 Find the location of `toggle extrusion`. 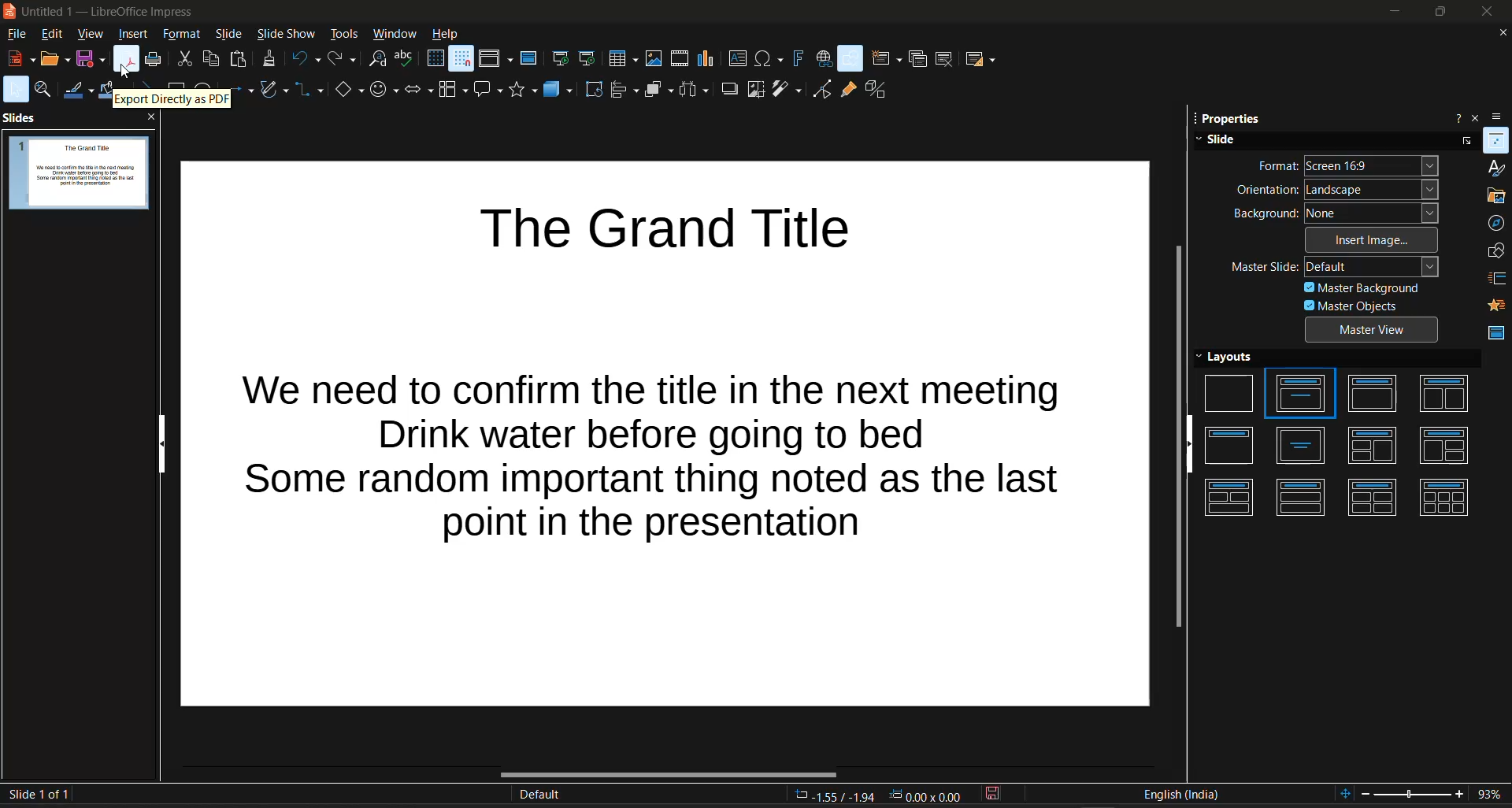

toggle extrusion is located at coordinates (876, 91).